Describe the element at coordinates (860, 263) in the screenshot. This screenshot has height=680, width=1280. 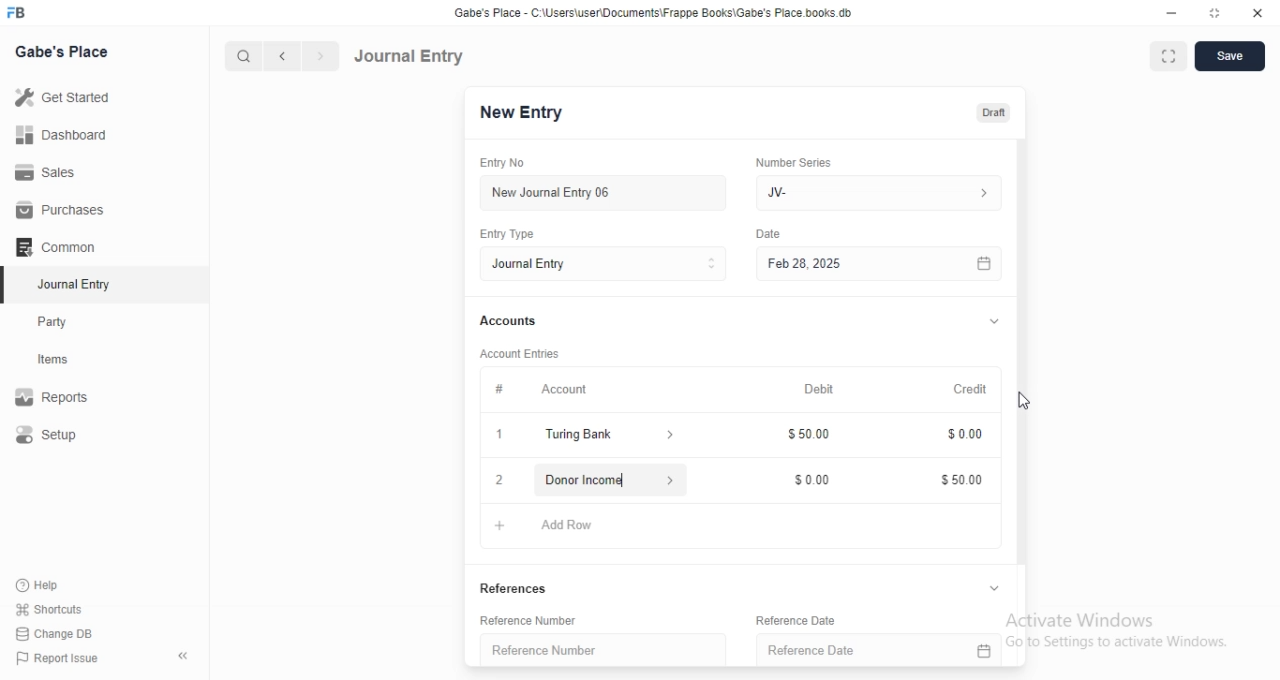
I see `Feb 28, 2025` at that location.